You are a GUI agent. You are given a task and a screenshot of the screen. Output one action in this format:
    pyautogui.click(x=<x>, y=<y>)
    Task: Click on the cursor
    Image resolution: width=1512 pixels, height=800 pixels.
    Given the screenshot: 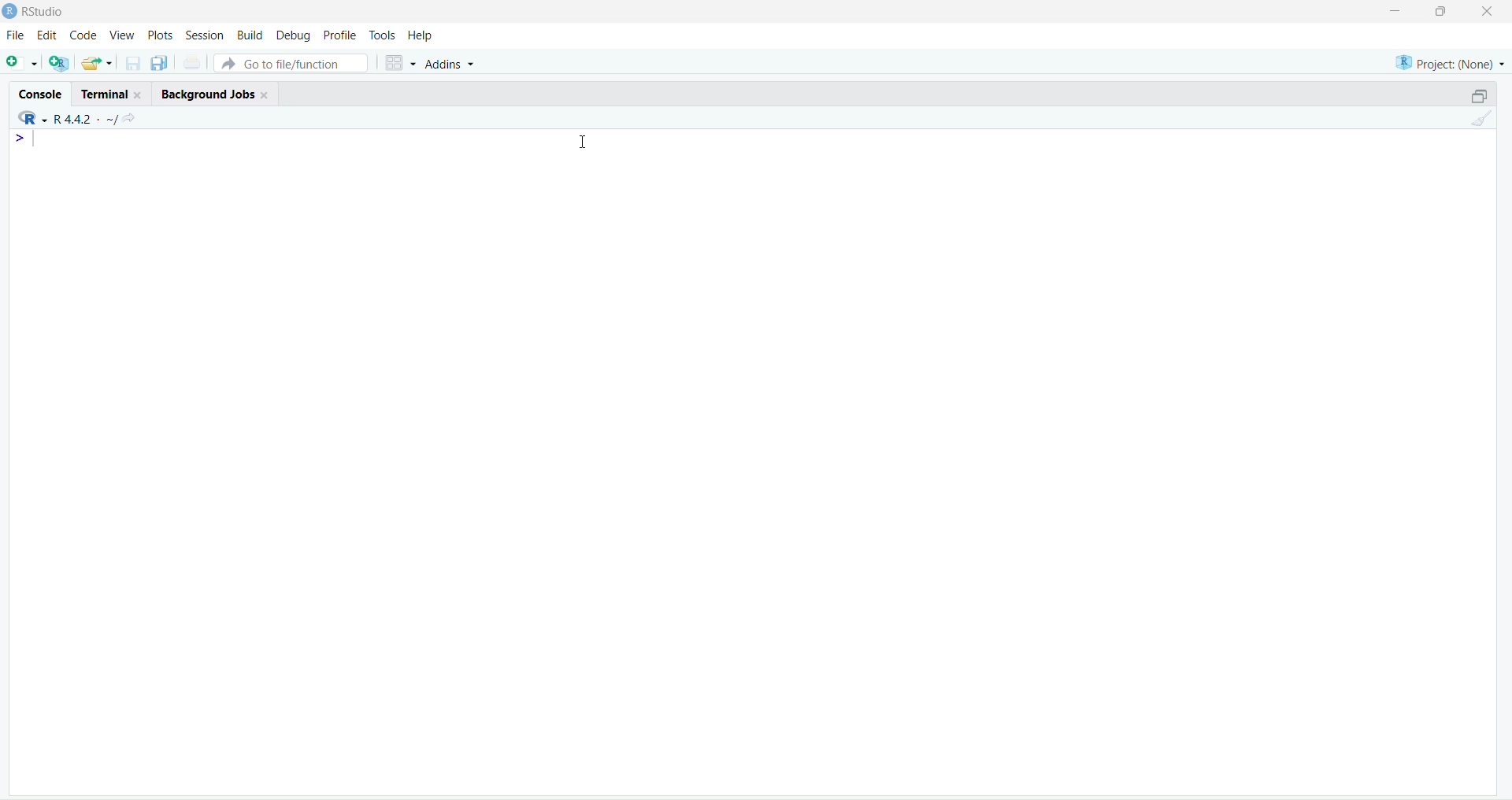 What is the action you would take?
    pyautogui.click(x=584, y=142)
    